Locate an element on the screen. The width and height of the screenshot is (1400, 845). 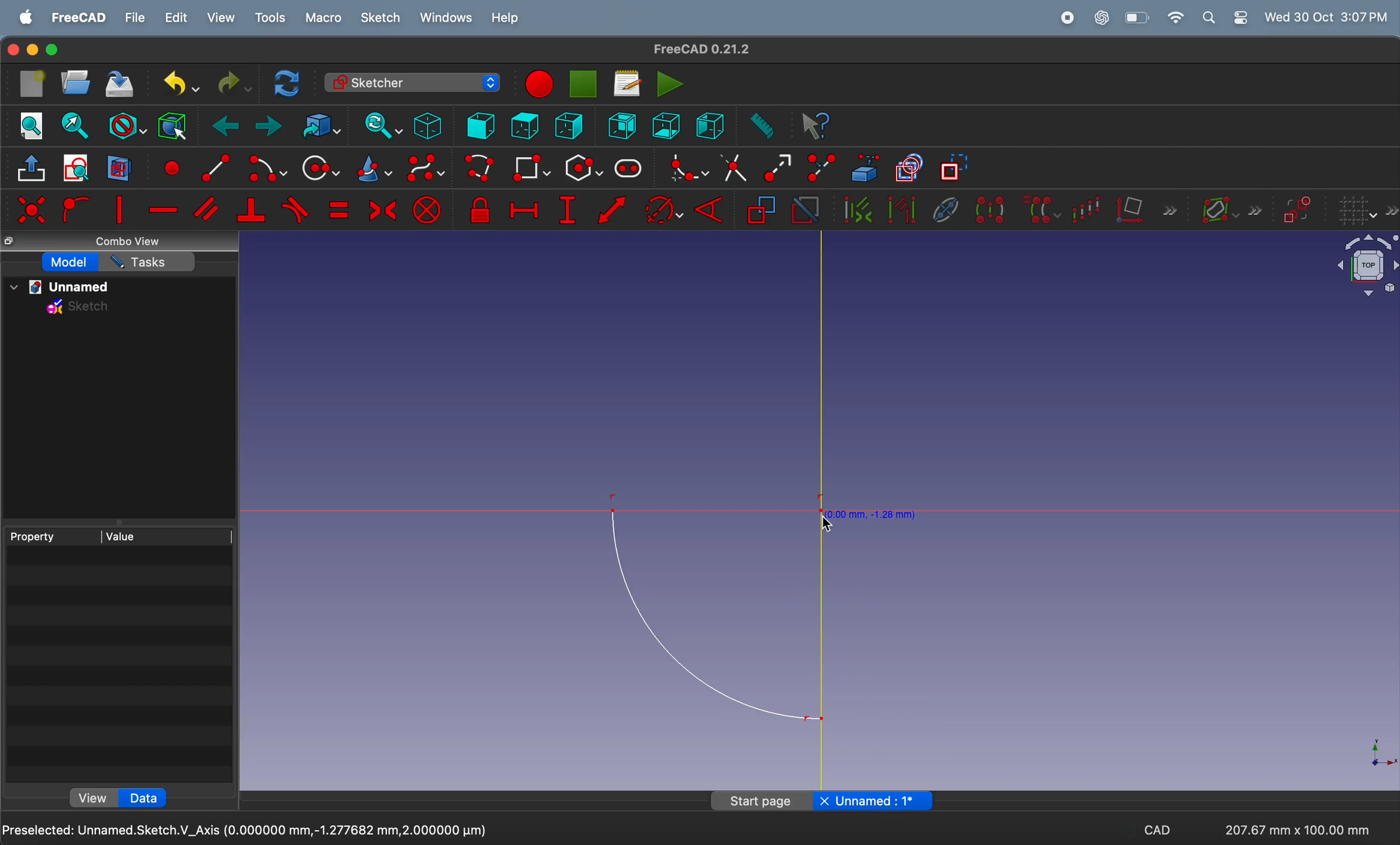
select associated geometry is located at coordinates (902, 211).